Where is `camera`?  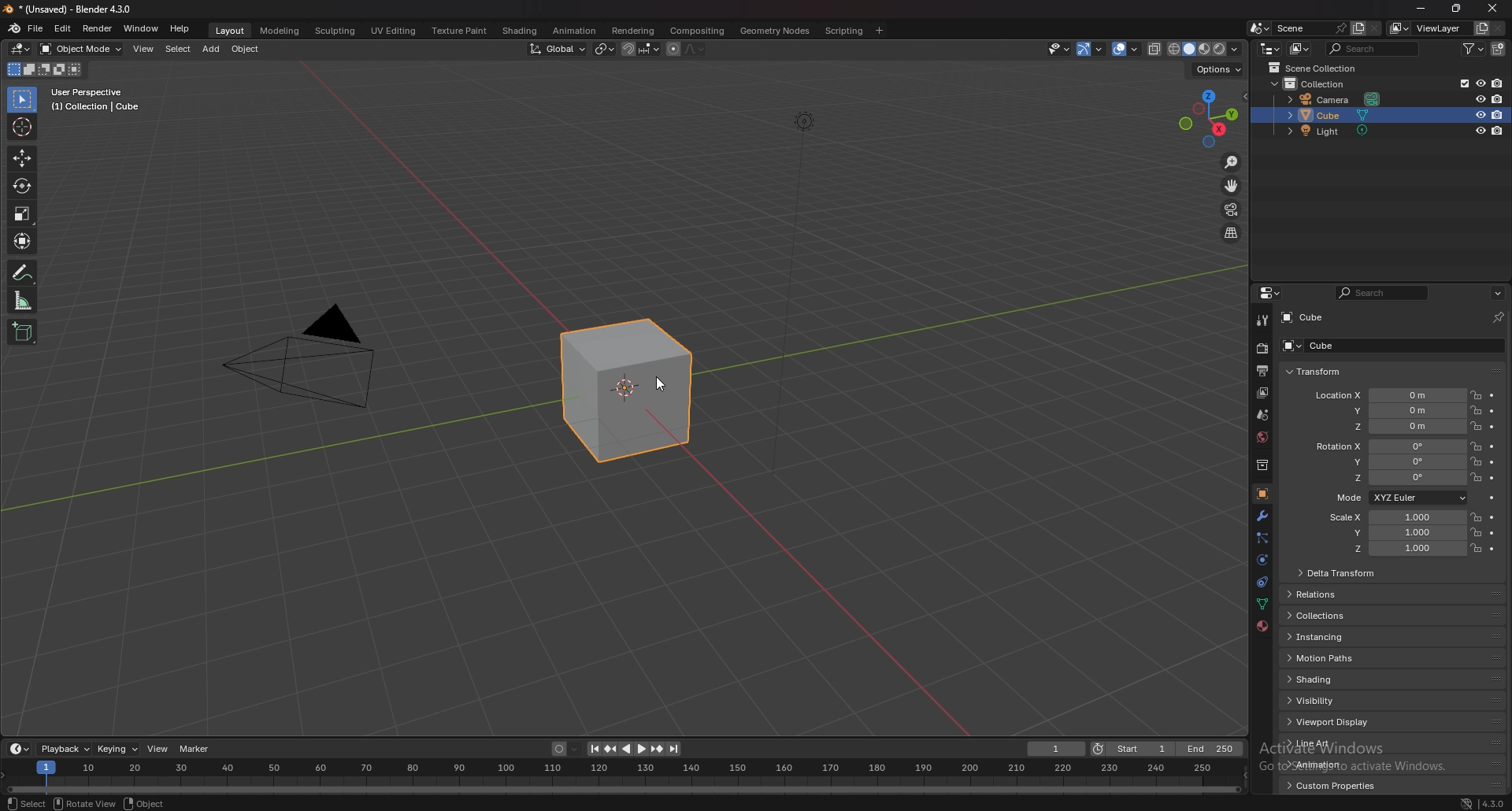 camera is located at coordinates (1333, 98).